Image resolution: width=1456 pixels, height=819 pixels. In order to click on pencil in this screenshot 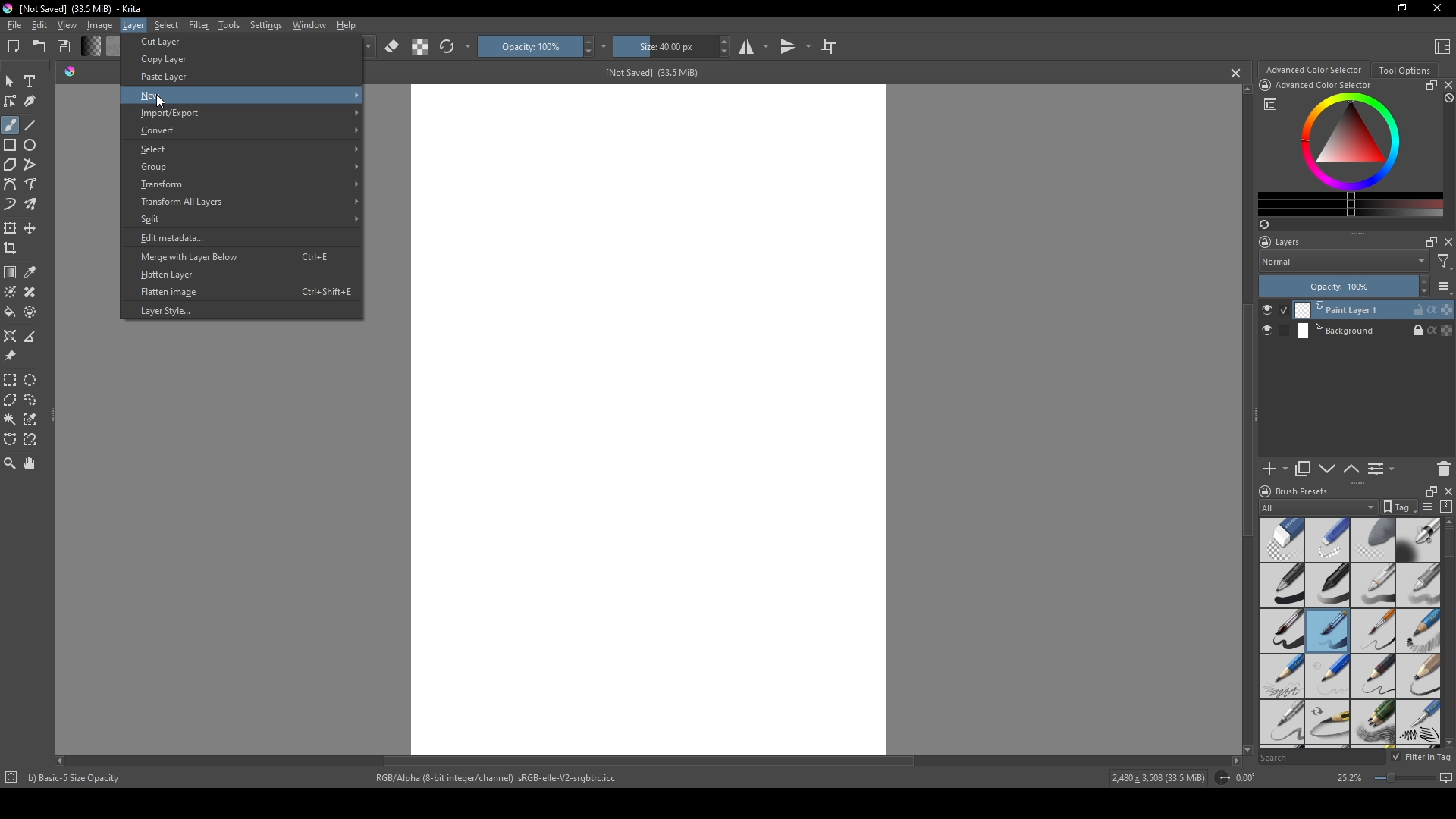, I will do `click(1373, 676)`.